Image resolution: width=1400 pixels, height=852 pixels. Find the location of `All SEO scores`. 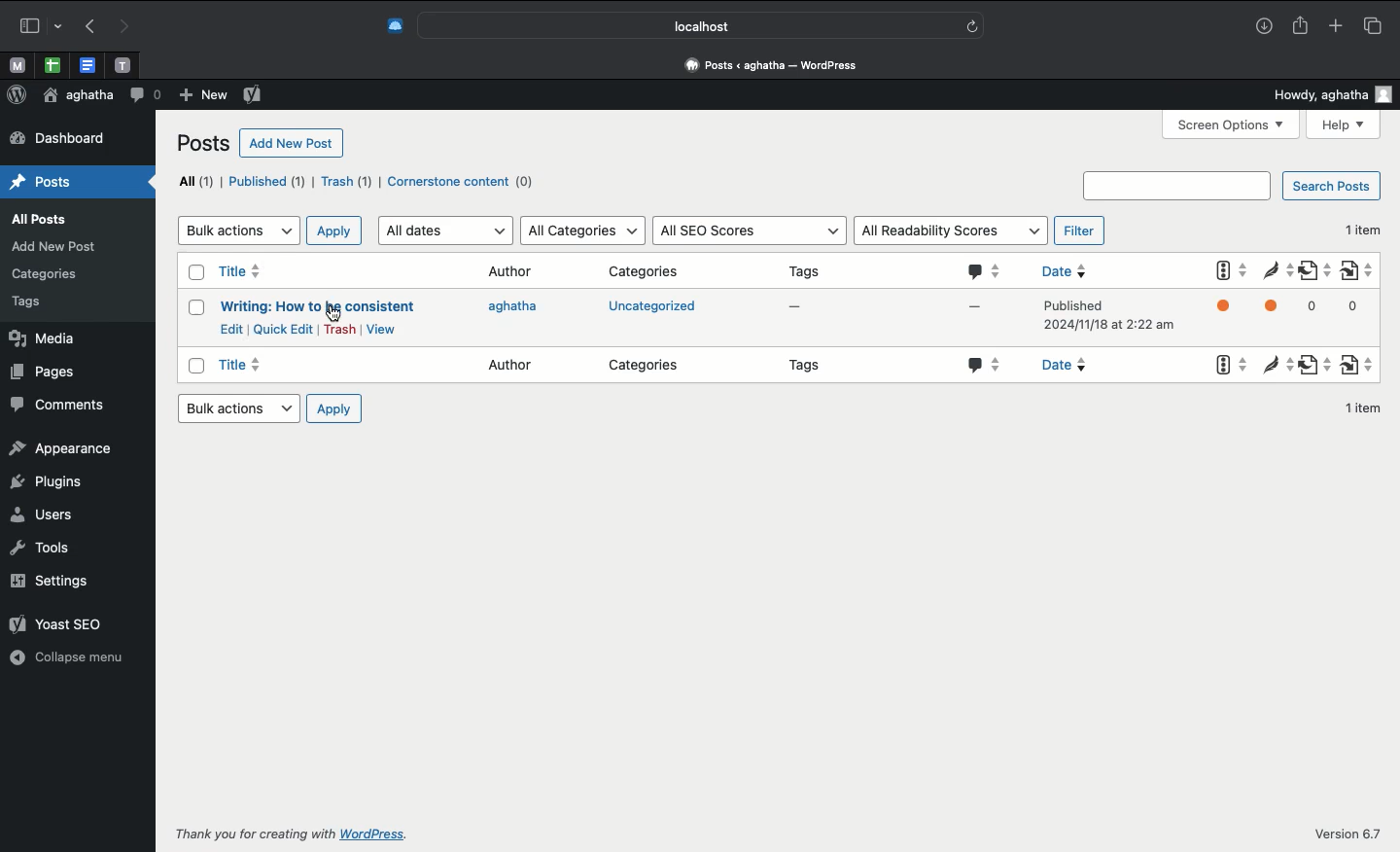

All SEO scores is located at coordinates (748, 231).